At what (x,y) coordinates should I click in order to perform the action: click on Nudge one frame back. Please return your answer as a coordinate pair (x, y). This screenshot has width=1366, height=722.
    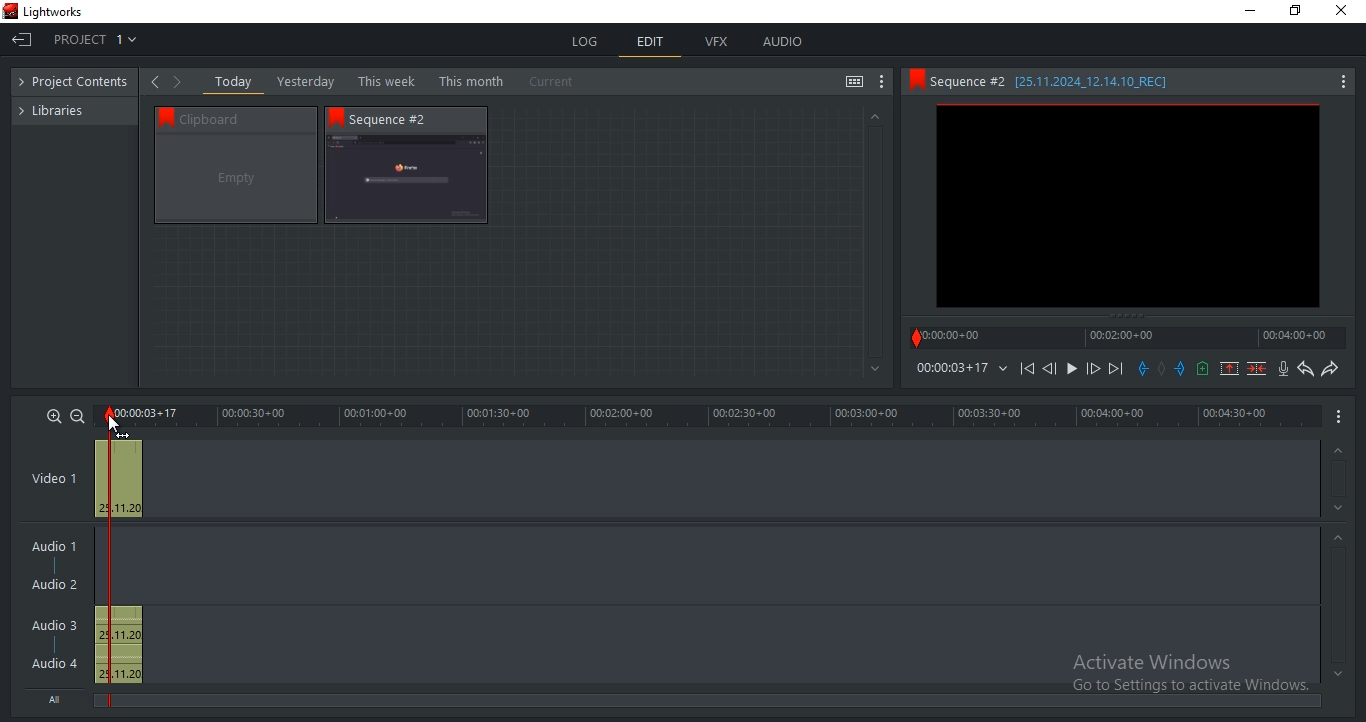
    Looking at the image, I should click on (1053, 371).